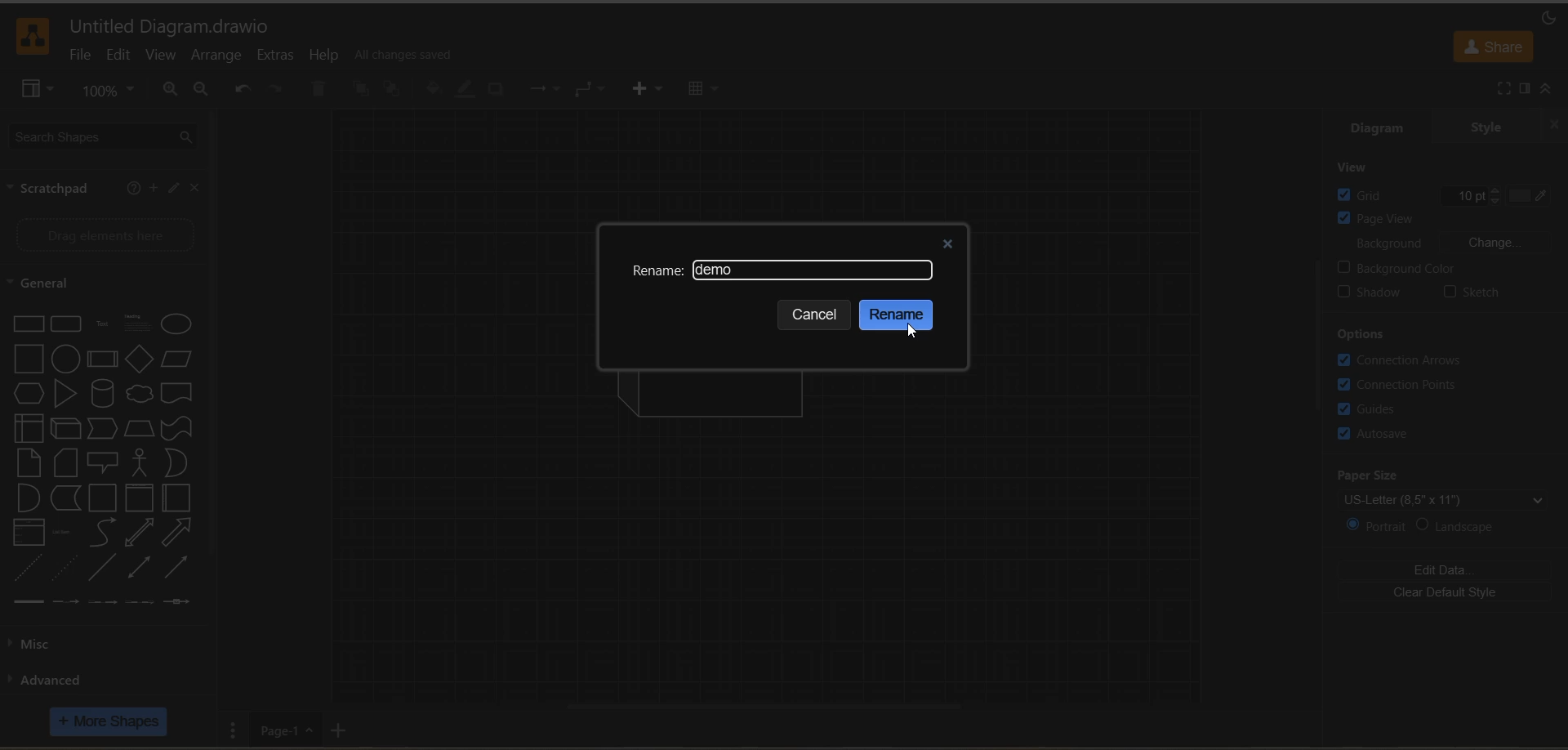 The image size is (1568, 750). What do you see at coordinates (1363, 334) in the screenshot?
I see `options` at bounding box center [1363, 334].